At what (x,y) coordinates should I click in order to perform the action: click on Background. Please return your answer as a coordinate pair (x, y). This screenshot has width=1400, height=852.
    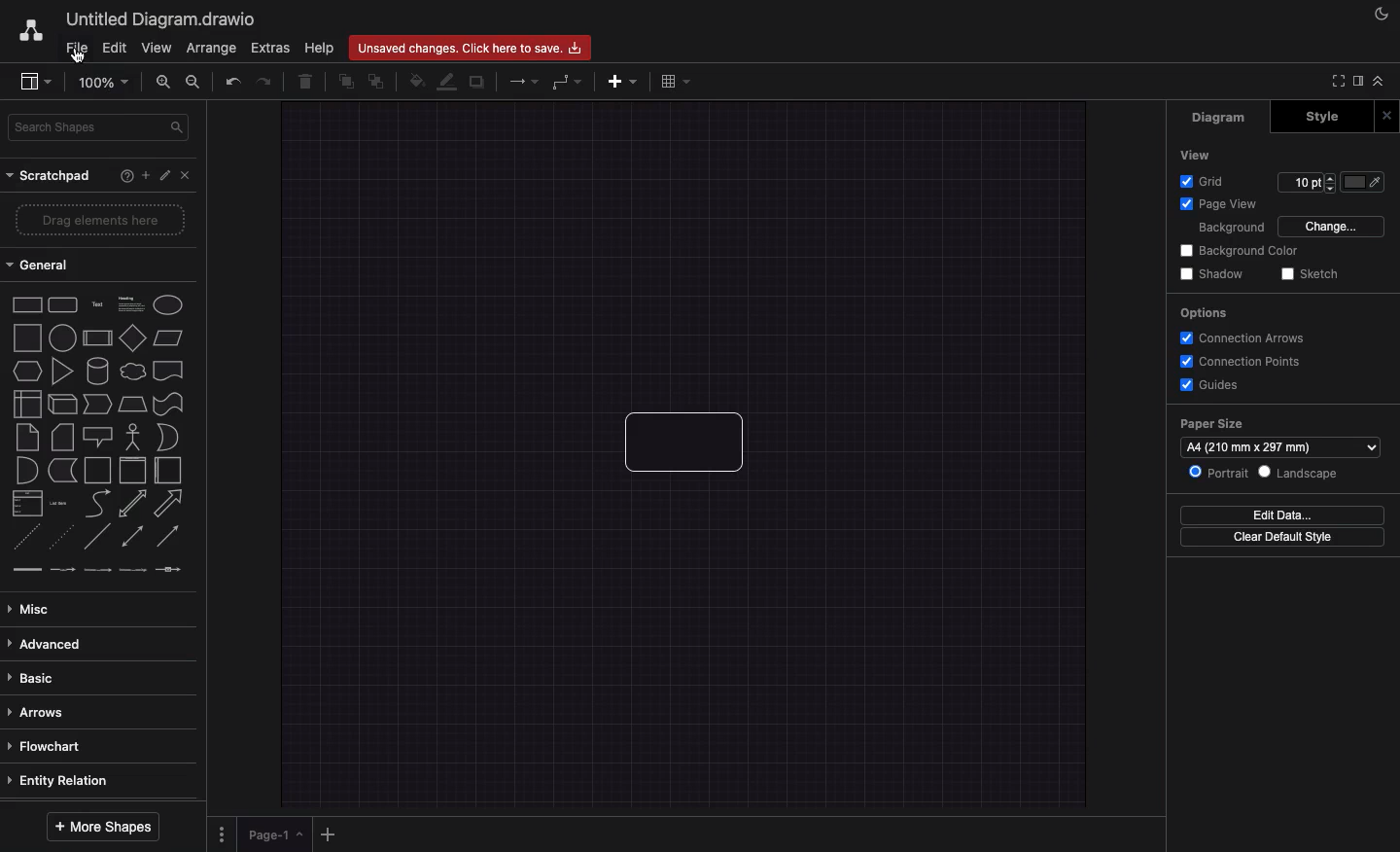
    Looking at the image, I should click on (1231, 229).